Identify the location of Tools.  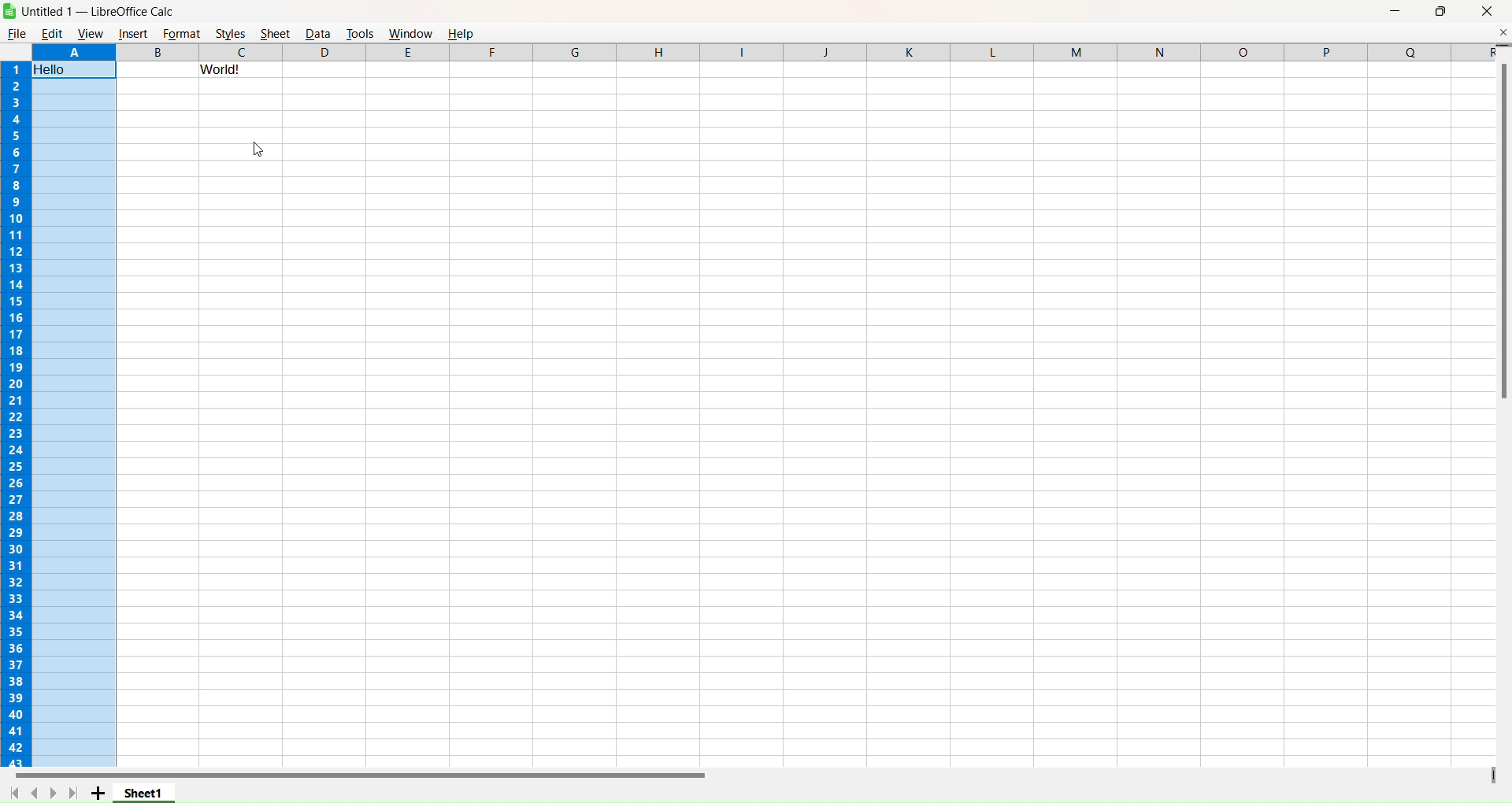
(360, 32).